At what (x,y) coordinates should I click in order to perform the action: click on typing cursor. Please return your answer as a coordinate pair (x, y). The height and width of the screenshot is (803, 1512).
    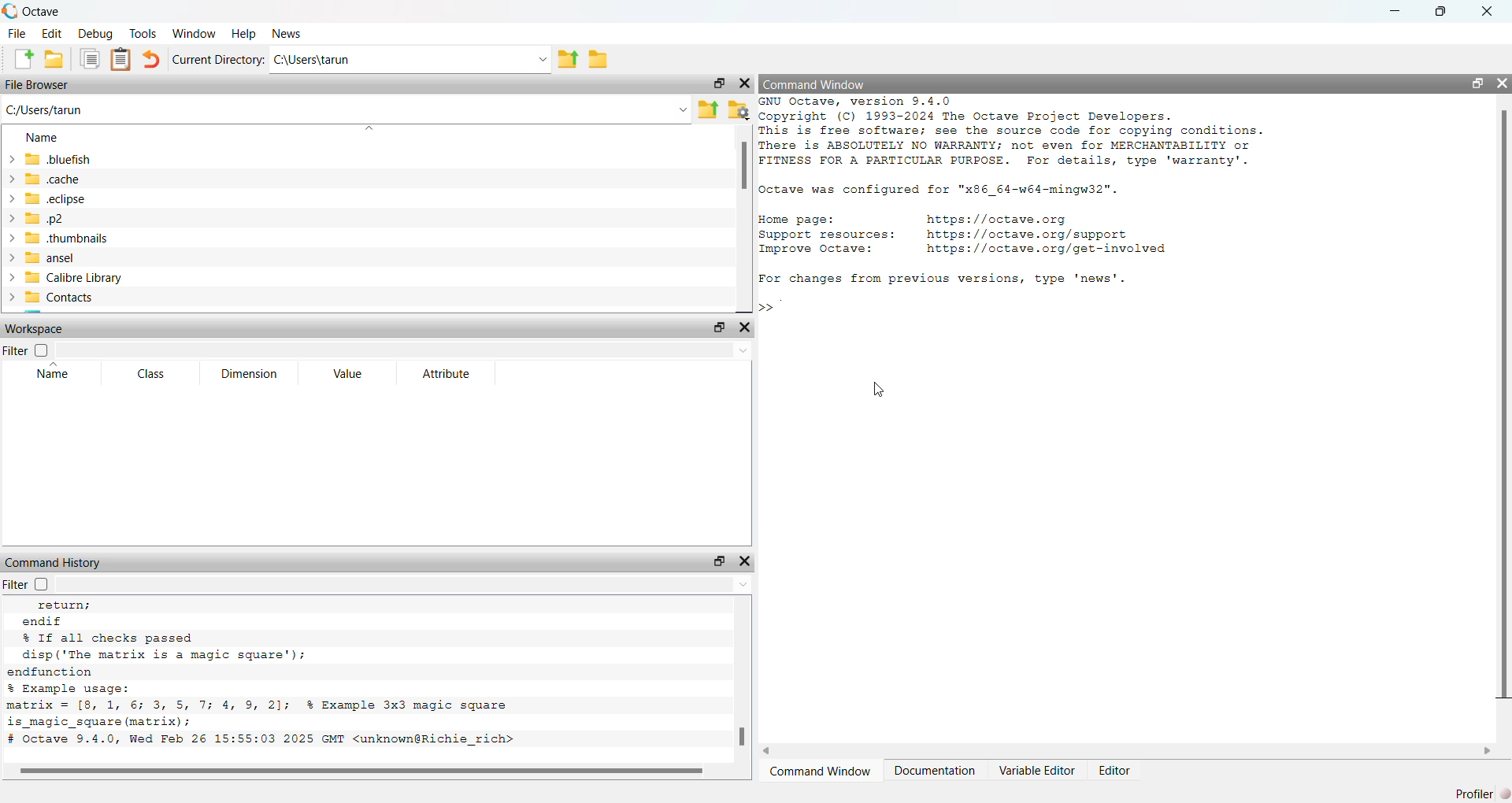
    Looking at the image, I should click on (772, 308).